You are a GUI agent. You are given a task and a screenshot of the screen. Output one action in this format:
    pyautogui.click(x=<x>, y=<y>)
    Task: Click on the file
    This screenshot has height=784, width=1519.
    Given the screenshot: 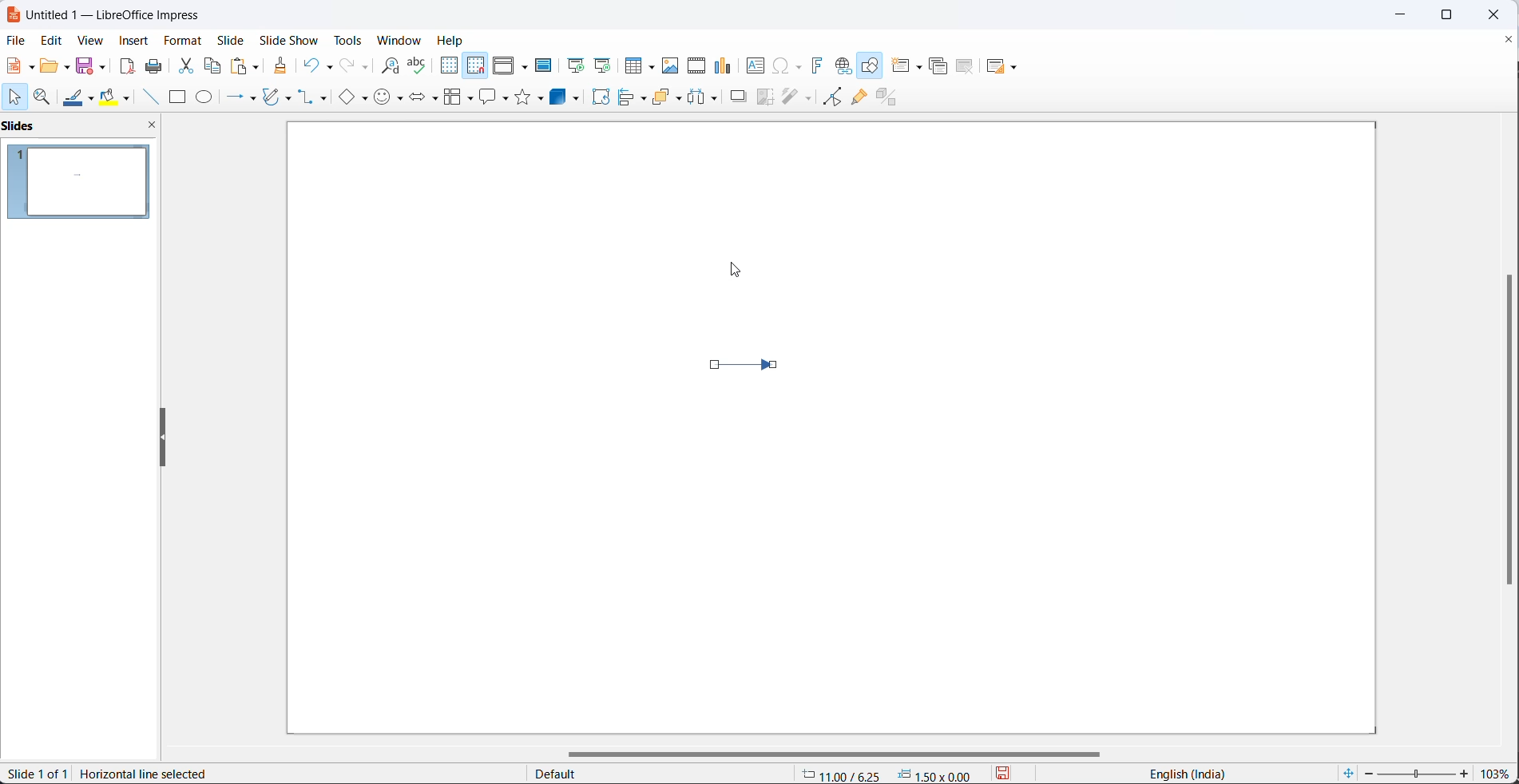 What is the action you would take?
    pyautogui.click(x=14, y=40)
    